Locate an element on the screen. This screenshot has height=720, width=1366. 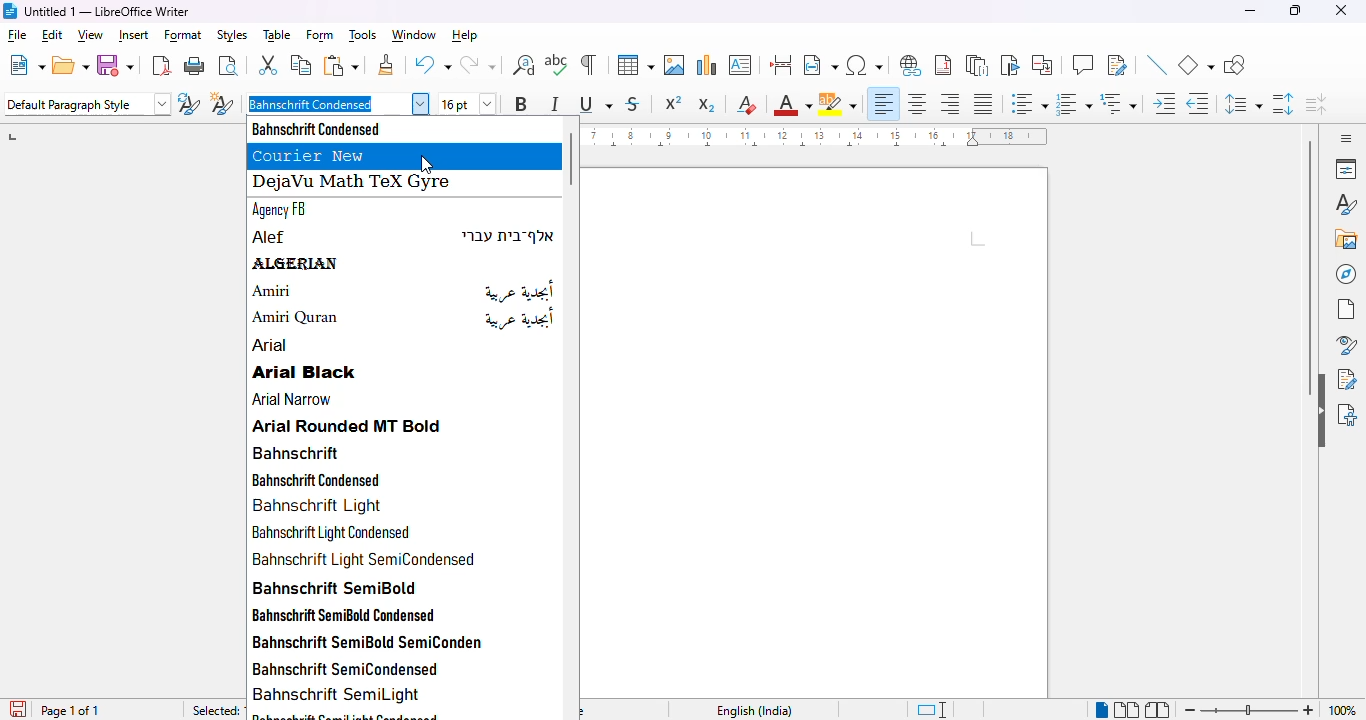
manage changes is located at coordinates (1347, 379).